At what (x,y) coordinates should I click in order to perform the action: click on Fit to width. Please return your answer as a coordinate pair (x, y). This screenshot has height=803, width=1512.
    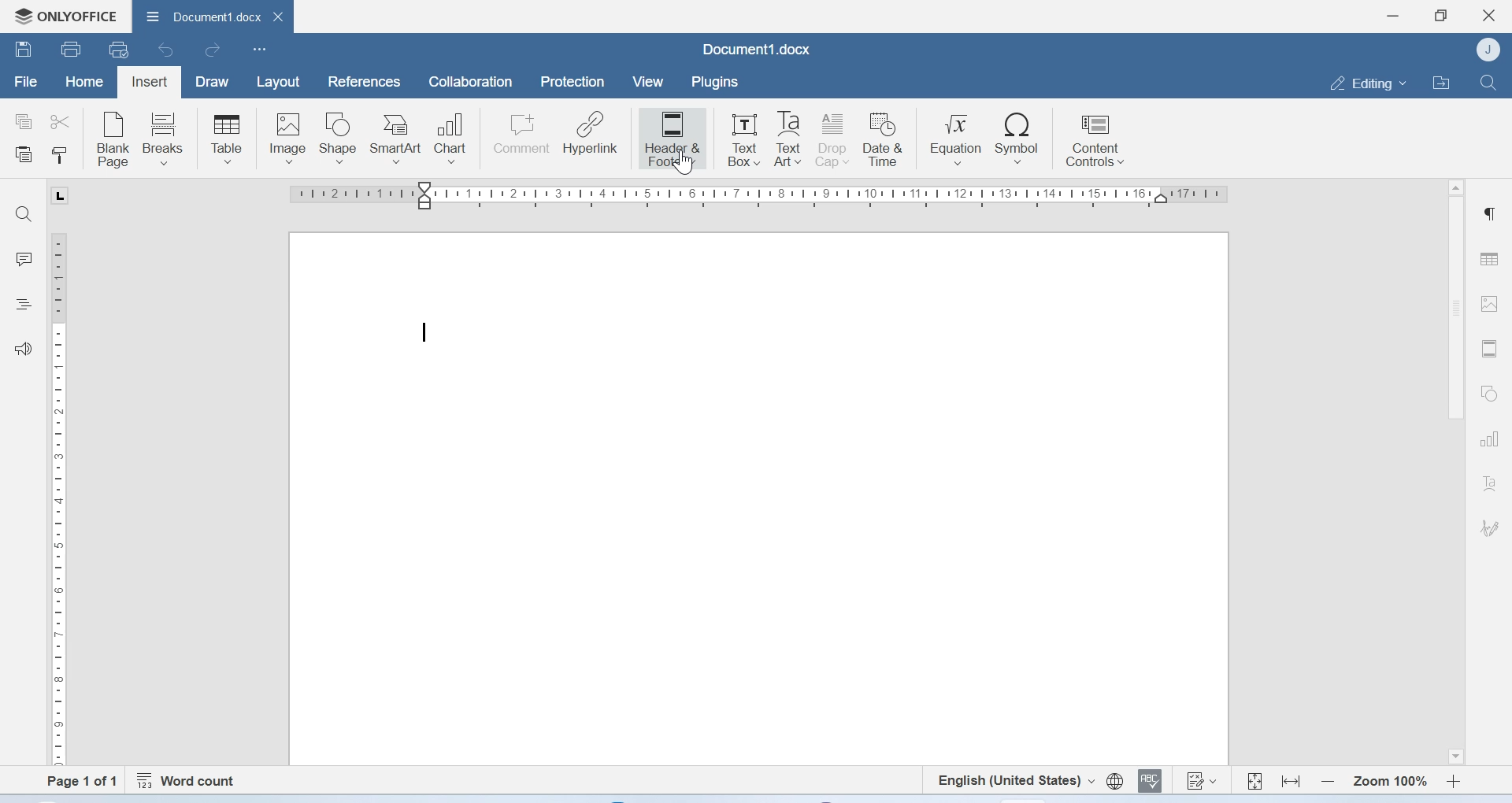
    Looking at the image, I should click on (1290, 779).